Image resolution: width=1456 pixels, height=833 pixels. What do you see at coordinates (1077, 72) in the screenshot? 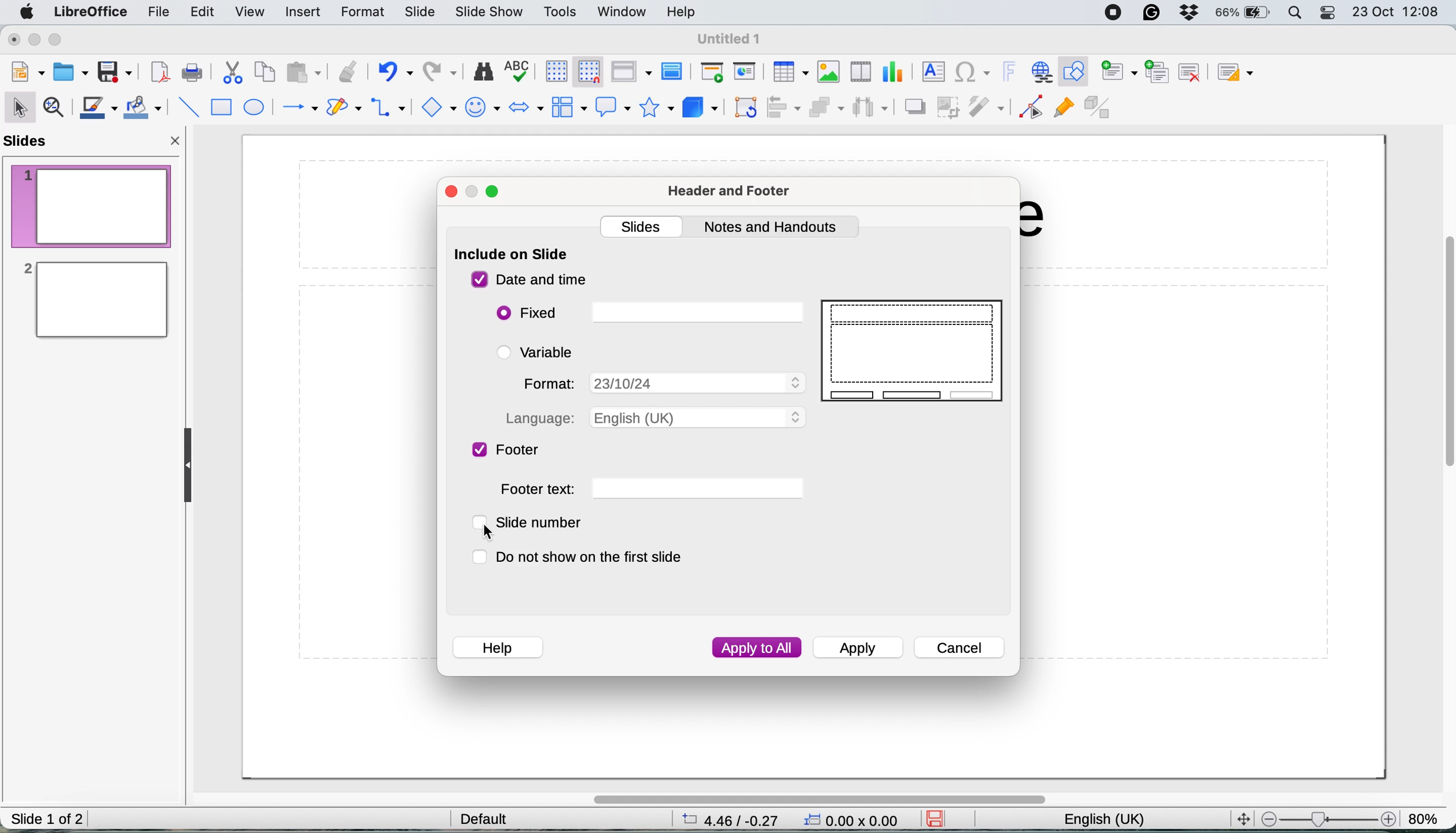
I see `show draw functions` at bounding box center [1077, 72].